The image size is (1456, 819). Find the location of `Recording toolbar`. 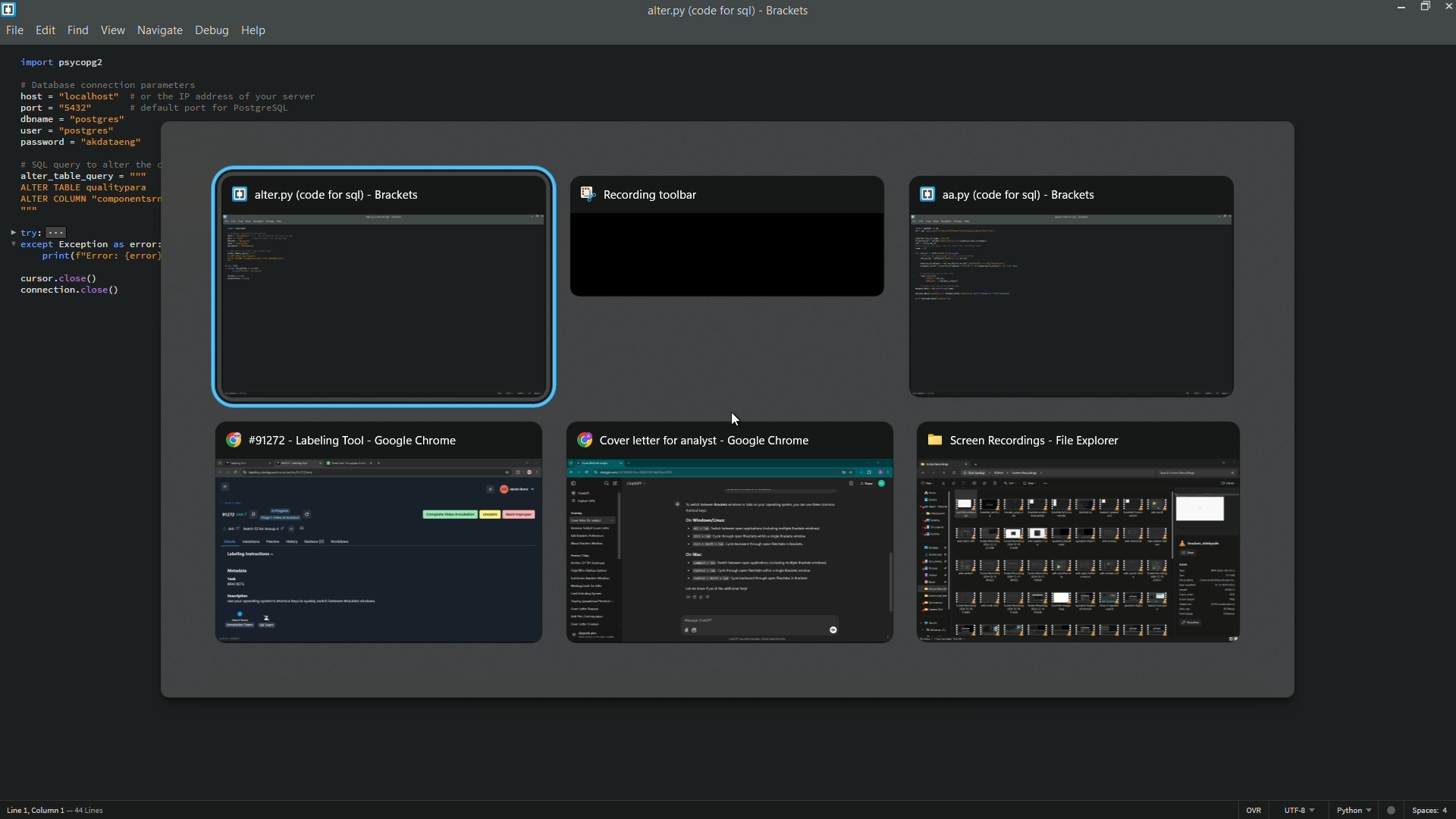

Recording toolbar is located at coordinates (729, 238).